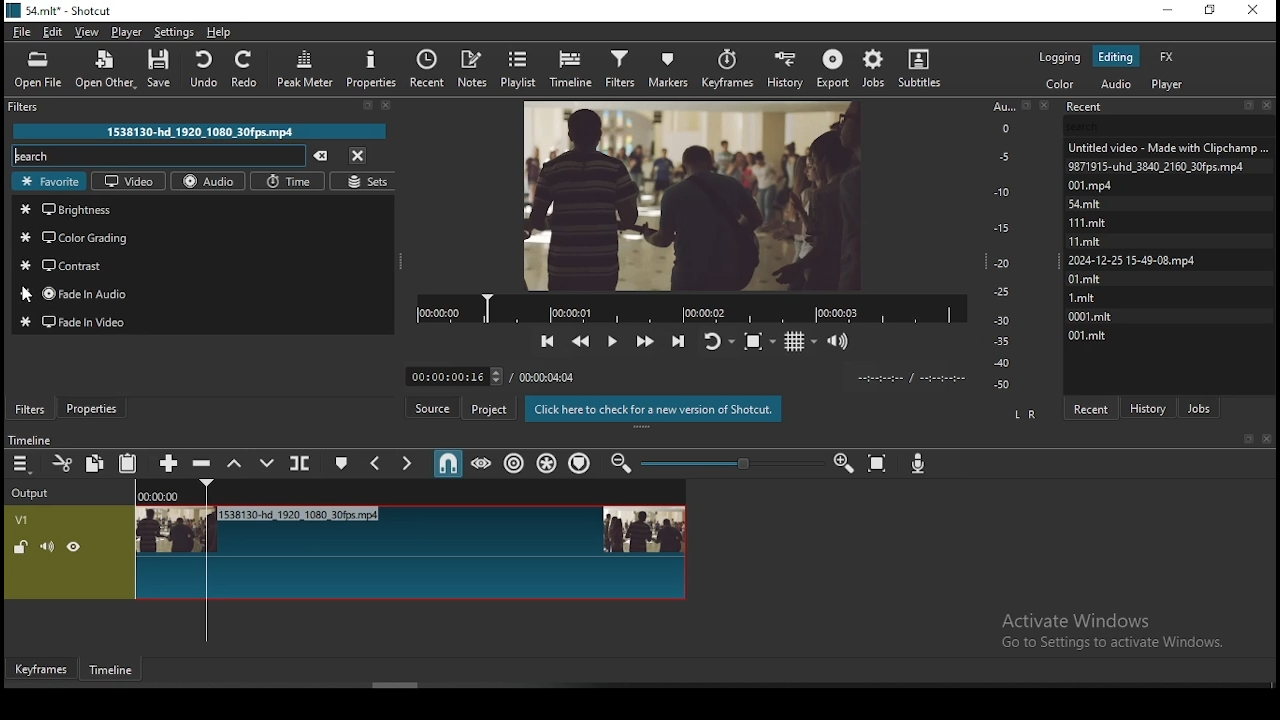 The height and width of the screenshot is (720, 1280). Describe the element at coordinates (166, 461) in the screenshot. I see `append` at that location.